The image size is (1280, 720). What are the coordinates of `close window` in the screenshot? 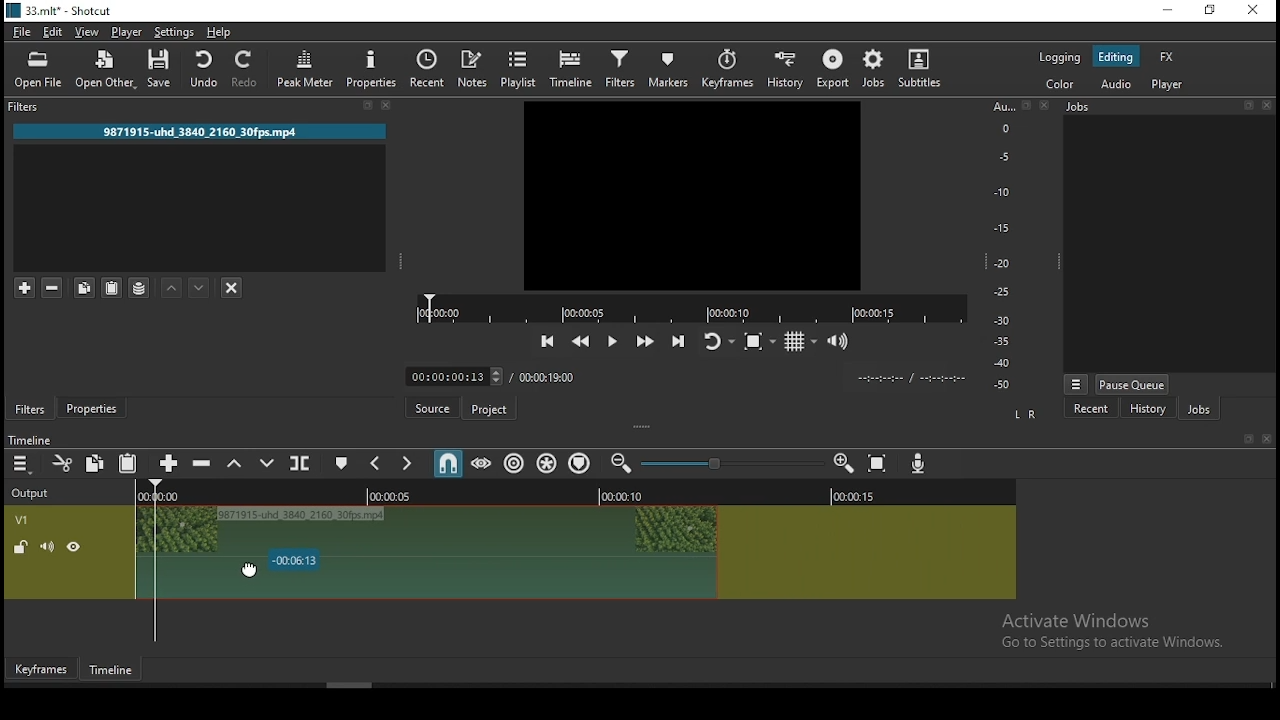 It's located at (1253, 11).